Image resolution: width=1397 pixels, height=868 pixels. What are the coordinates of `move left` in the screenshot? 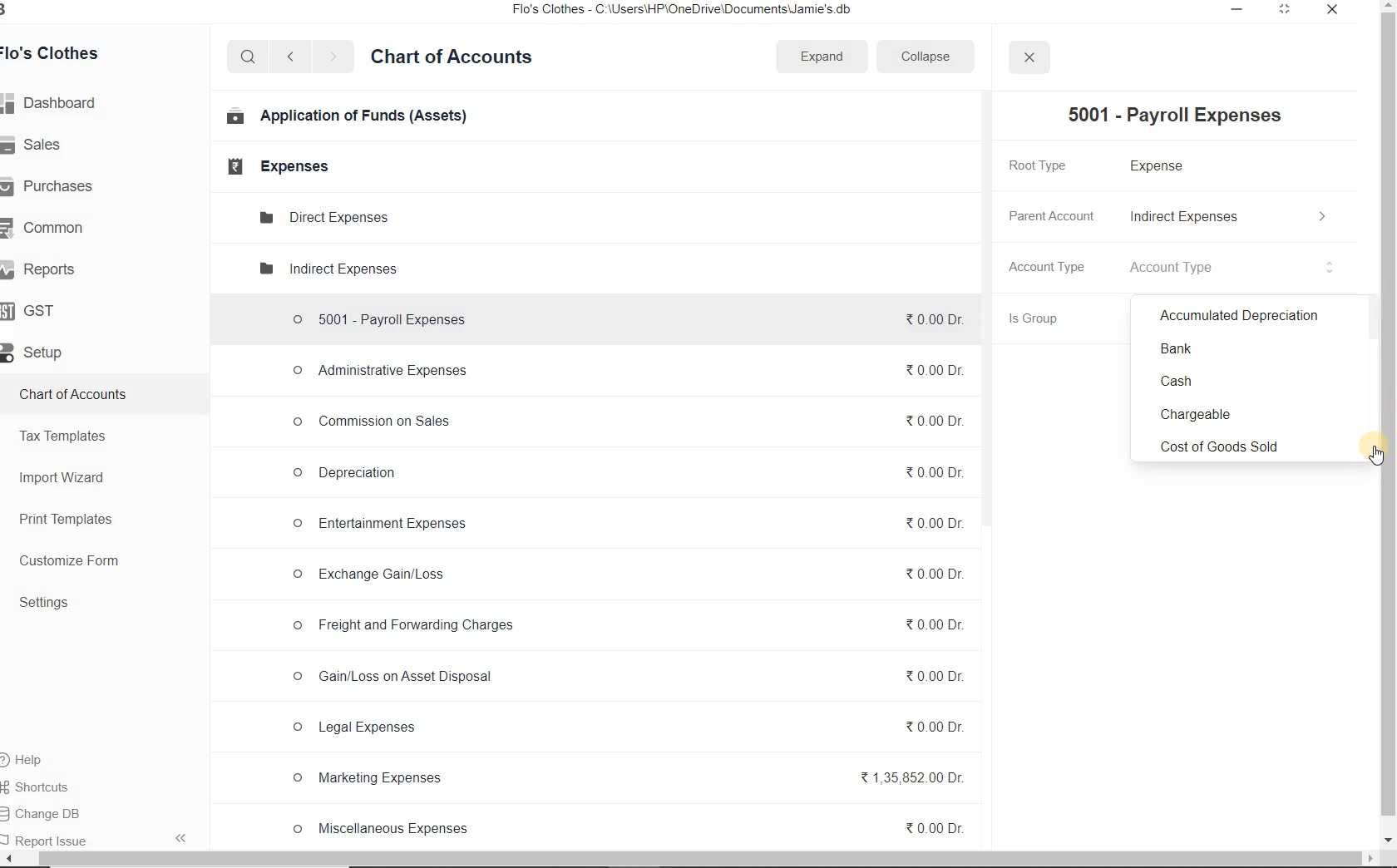 It's located at (8, 859).